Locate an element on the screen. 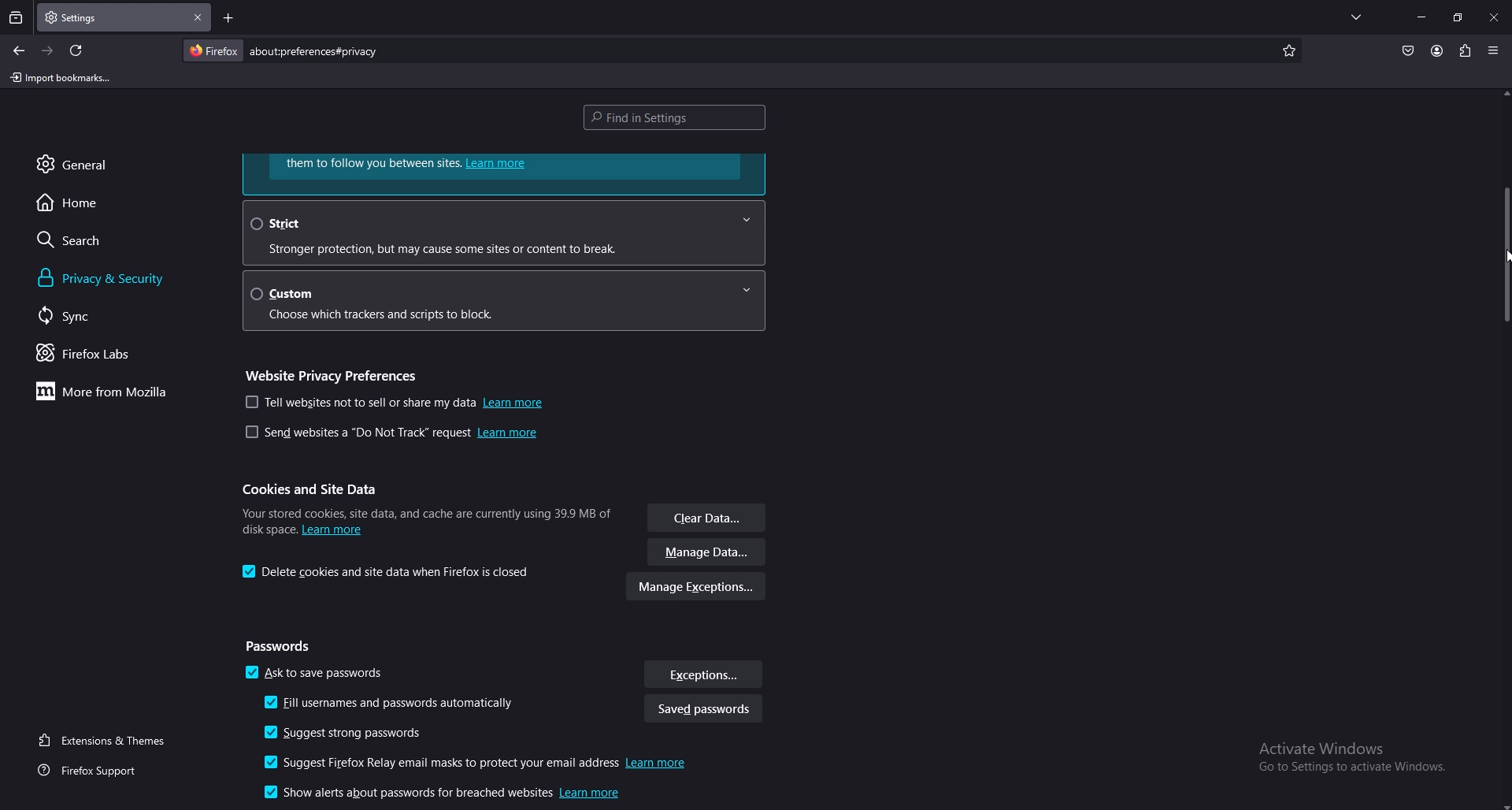 This screenshot has height=810, width=1512. refresh is located at coordinates (77, 50).